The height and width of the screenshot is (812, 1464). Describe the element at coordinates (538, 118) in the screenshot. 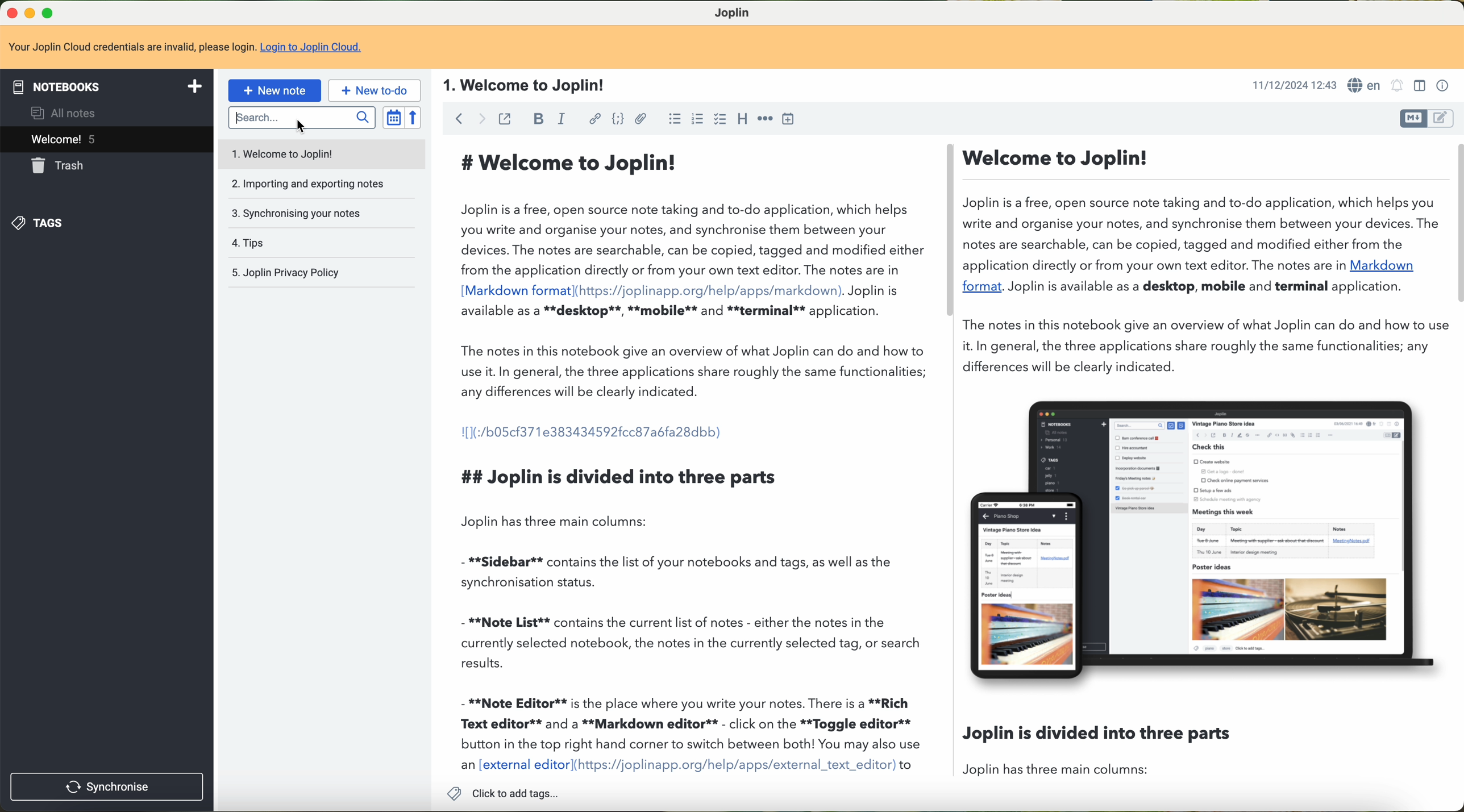

I see `bold` at that location.